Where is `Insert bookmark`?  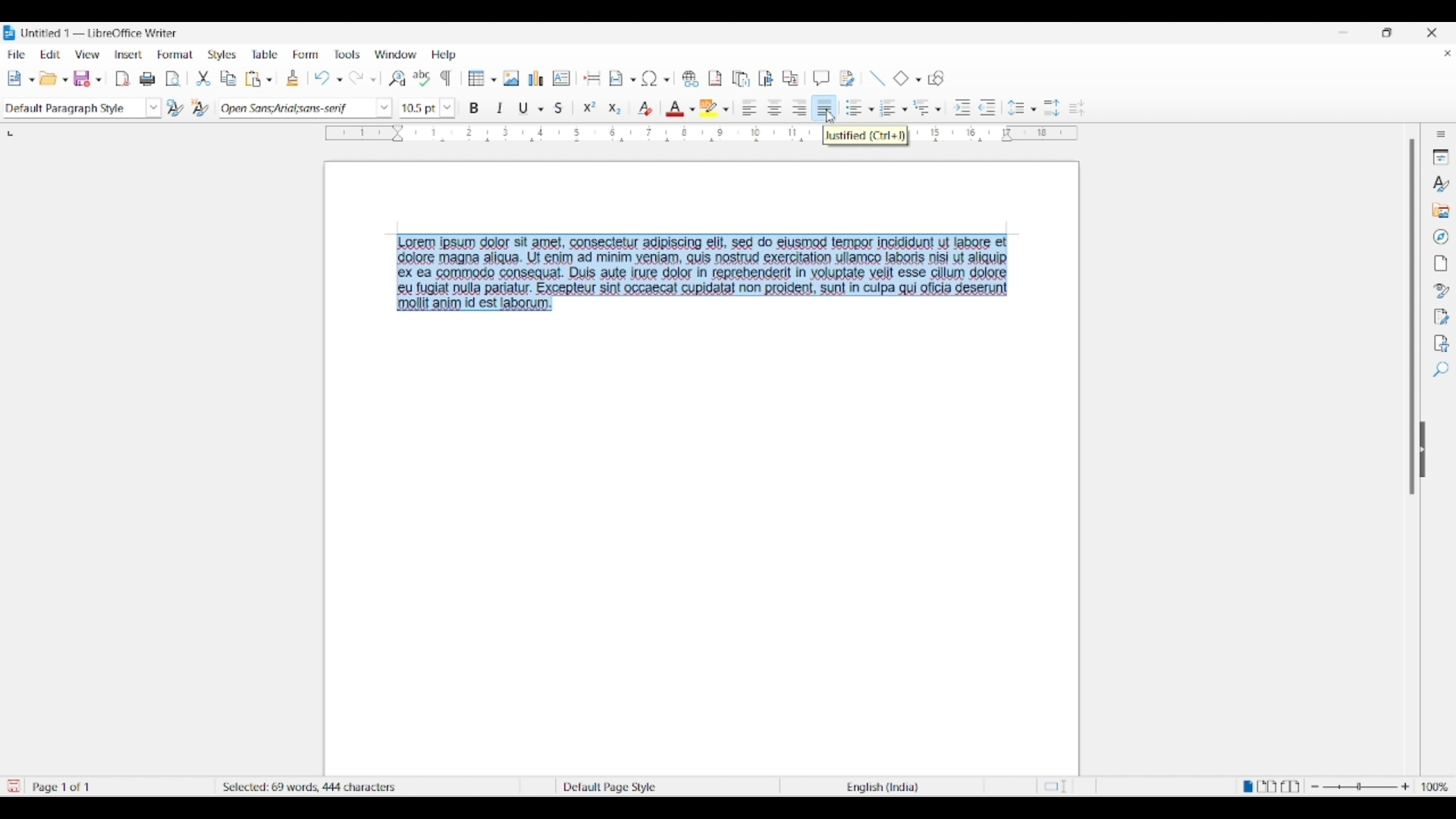 Insert bookmark is located at coordinates (766, 78).